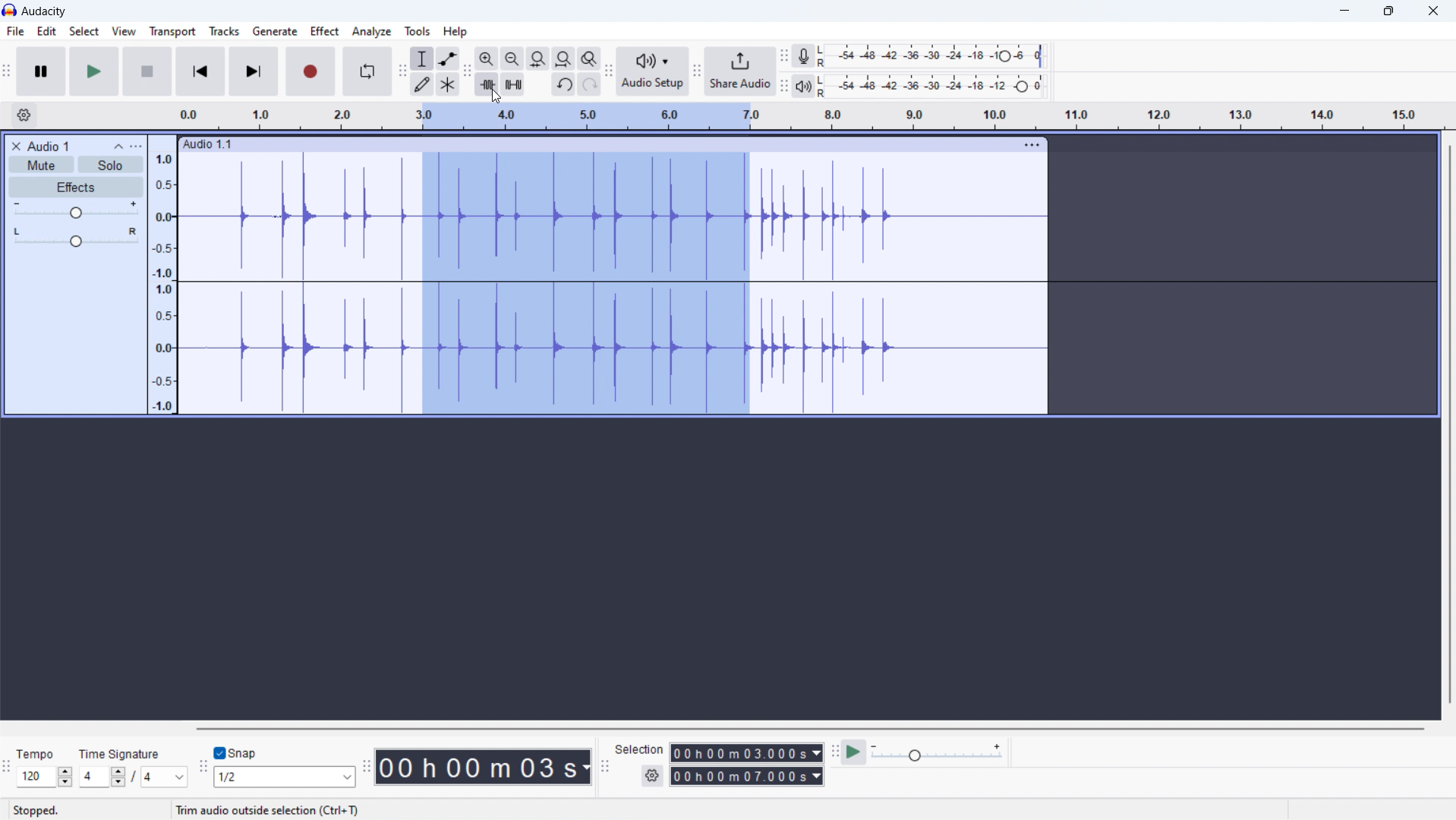 The width and height of the screenshot is (1456, 820). What do you see at coordinates (496, 96) in the screenshot?
I see `cursor` at bounding box center [496, 96].